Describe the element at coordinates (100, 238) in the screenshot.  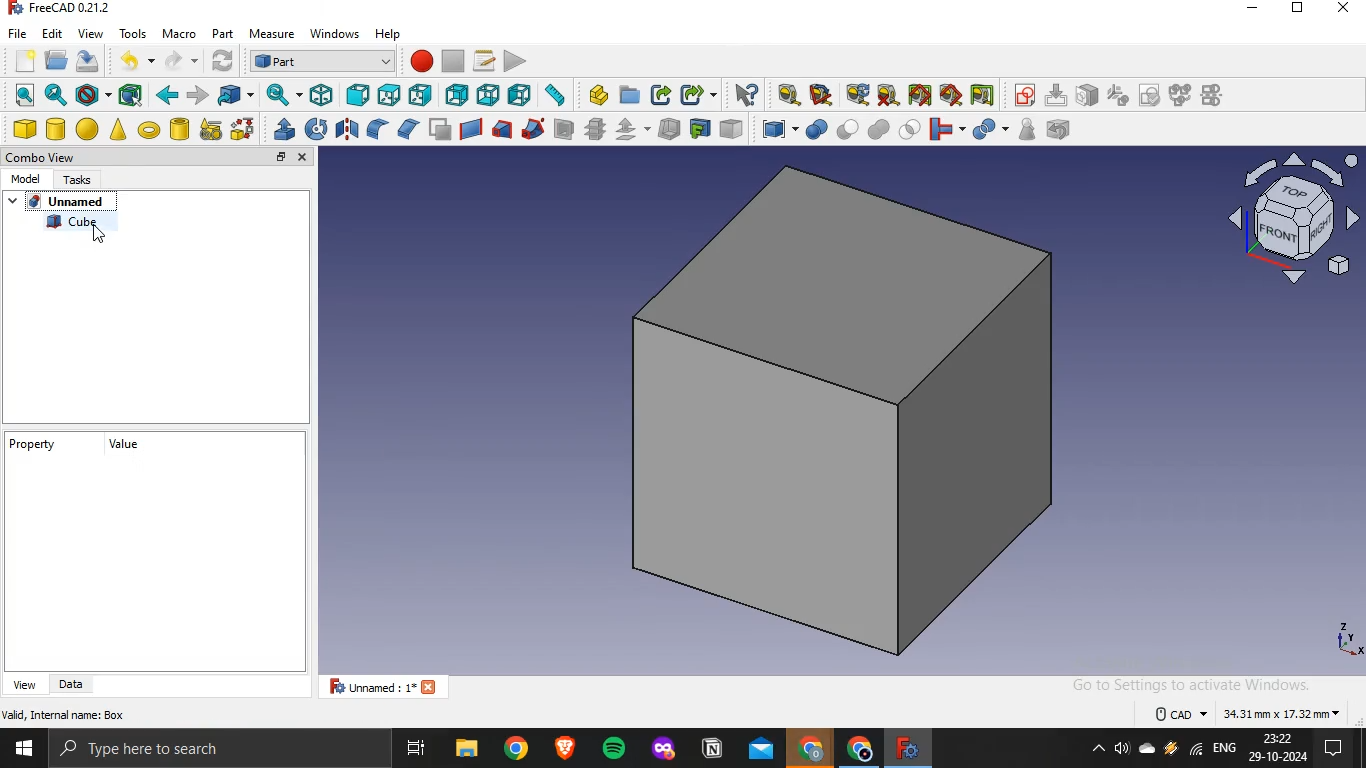
I see `cursor` at that location.